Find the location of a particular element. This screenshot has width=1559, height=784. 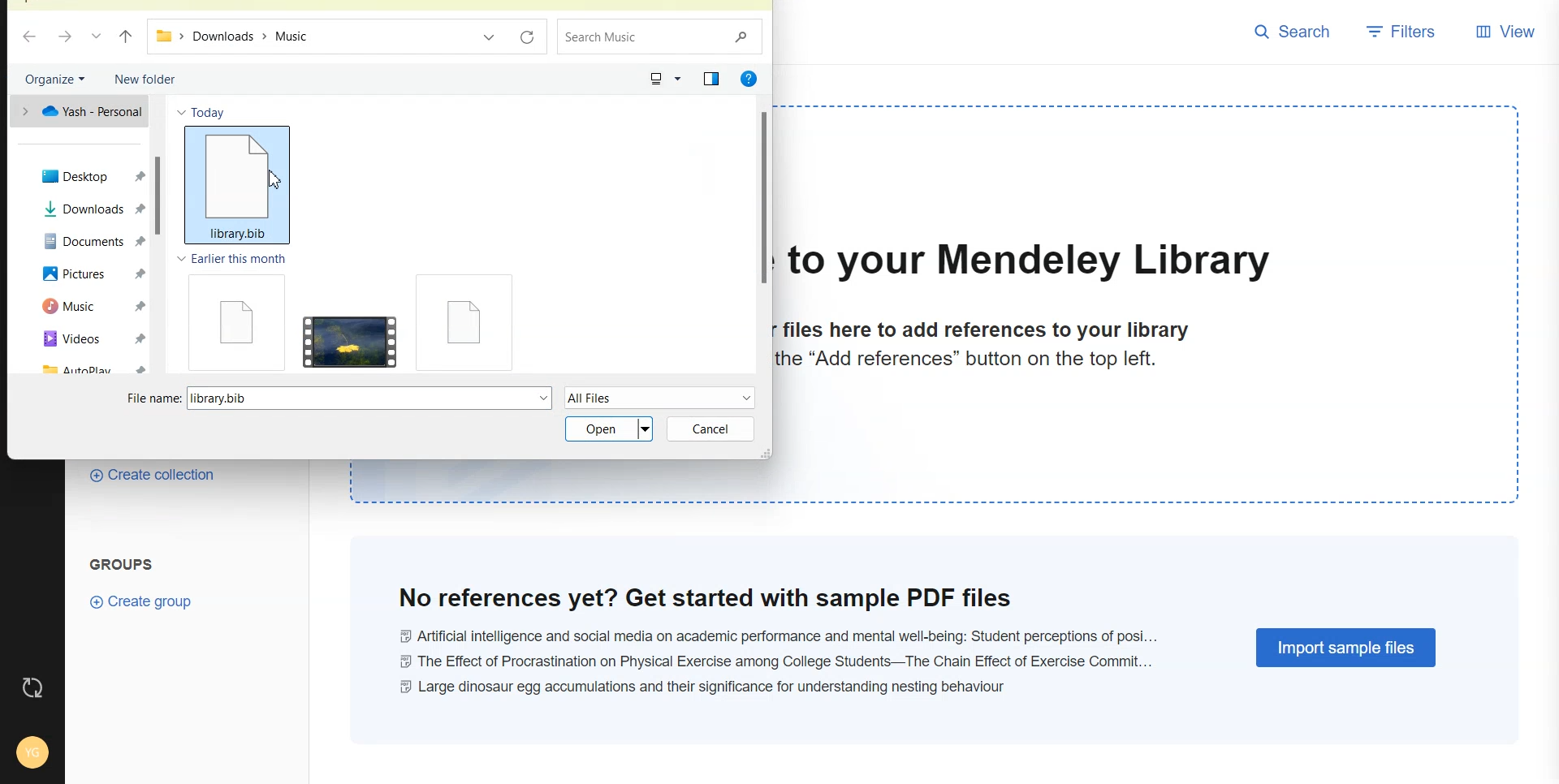

No references yet? Get started with sample PDF files is located at coordinates (706, 598).